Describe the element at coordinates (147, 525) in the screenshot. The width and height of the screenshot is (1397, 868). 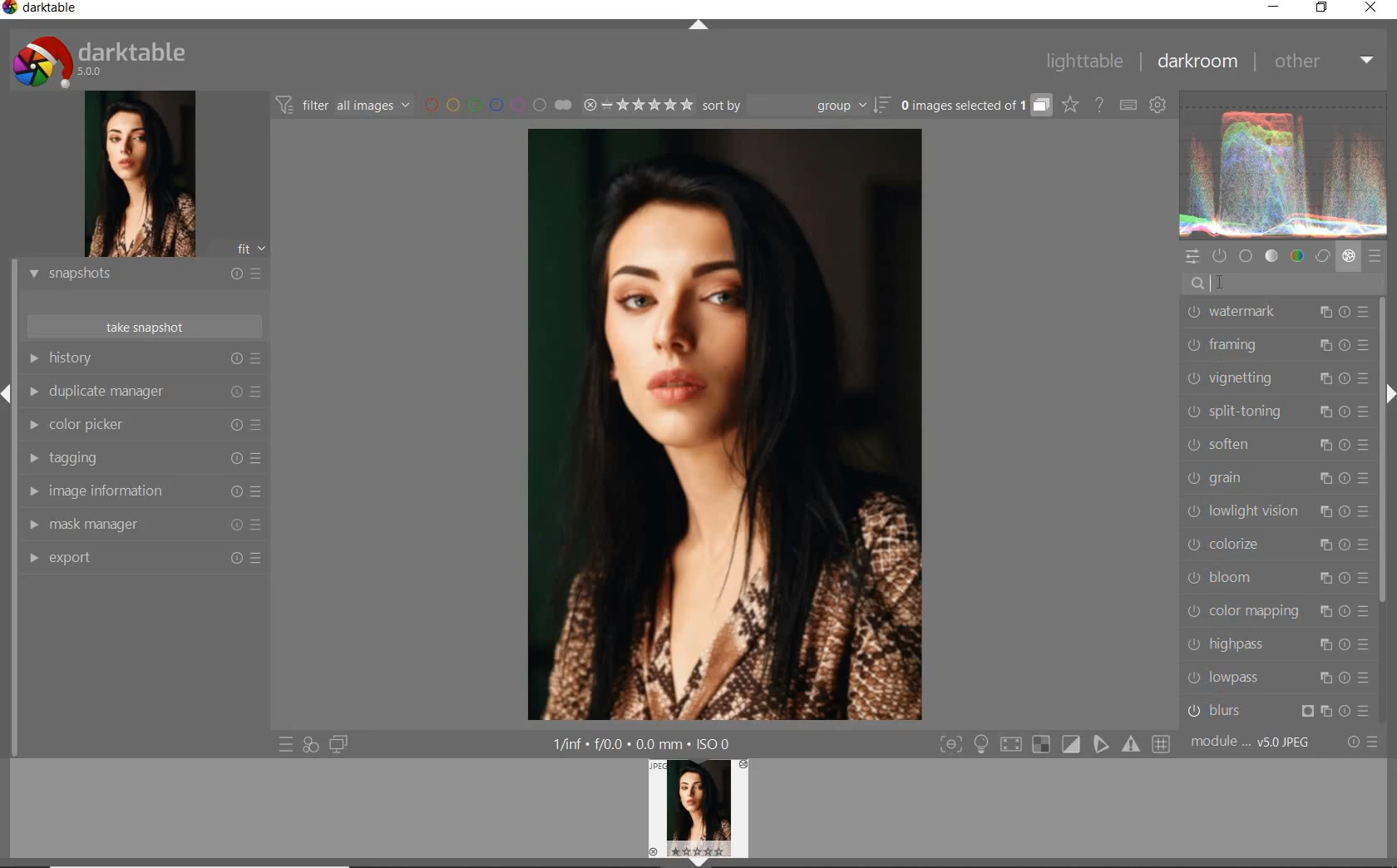
I see `mask manager` at that location.